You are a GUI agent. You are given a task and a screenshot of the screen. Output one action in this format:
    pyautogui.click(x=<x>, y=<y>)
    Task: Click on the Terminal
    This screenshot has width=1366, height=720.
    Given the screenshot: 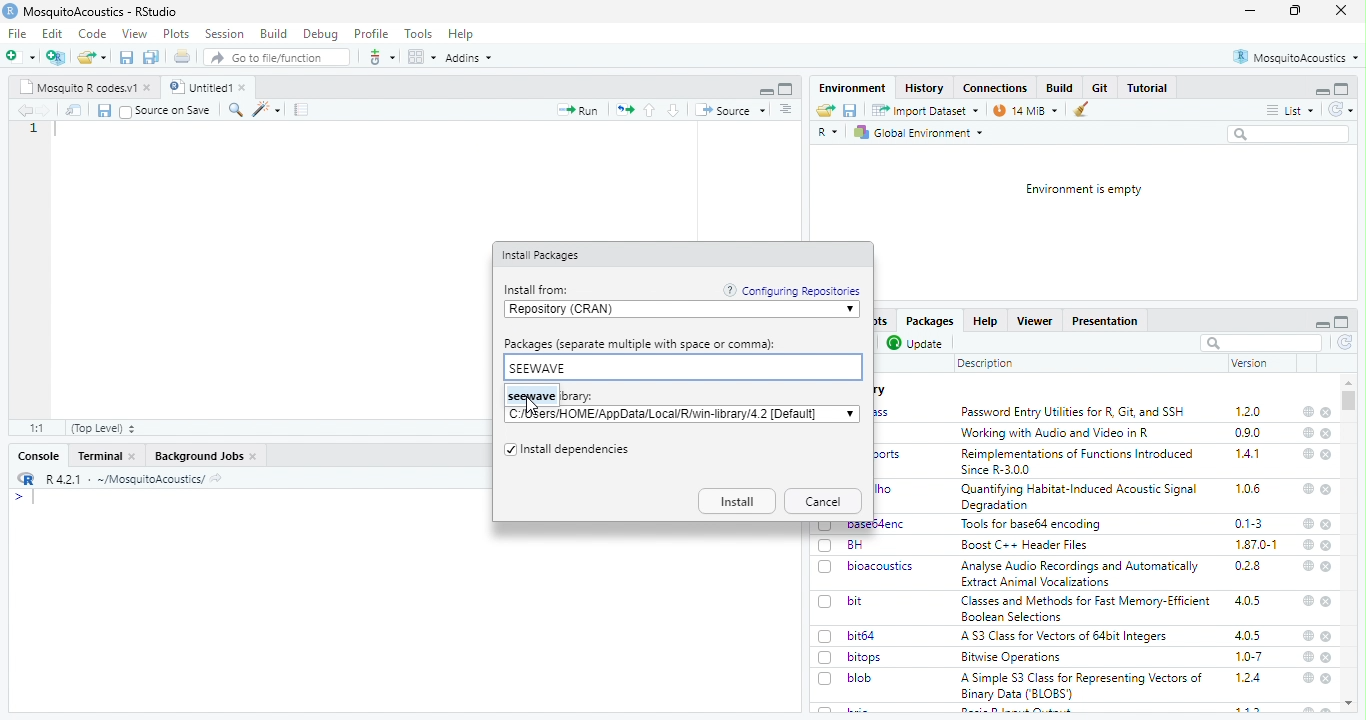 What is the action you would take?
    pyautogui.click(x=100, y=456)
    